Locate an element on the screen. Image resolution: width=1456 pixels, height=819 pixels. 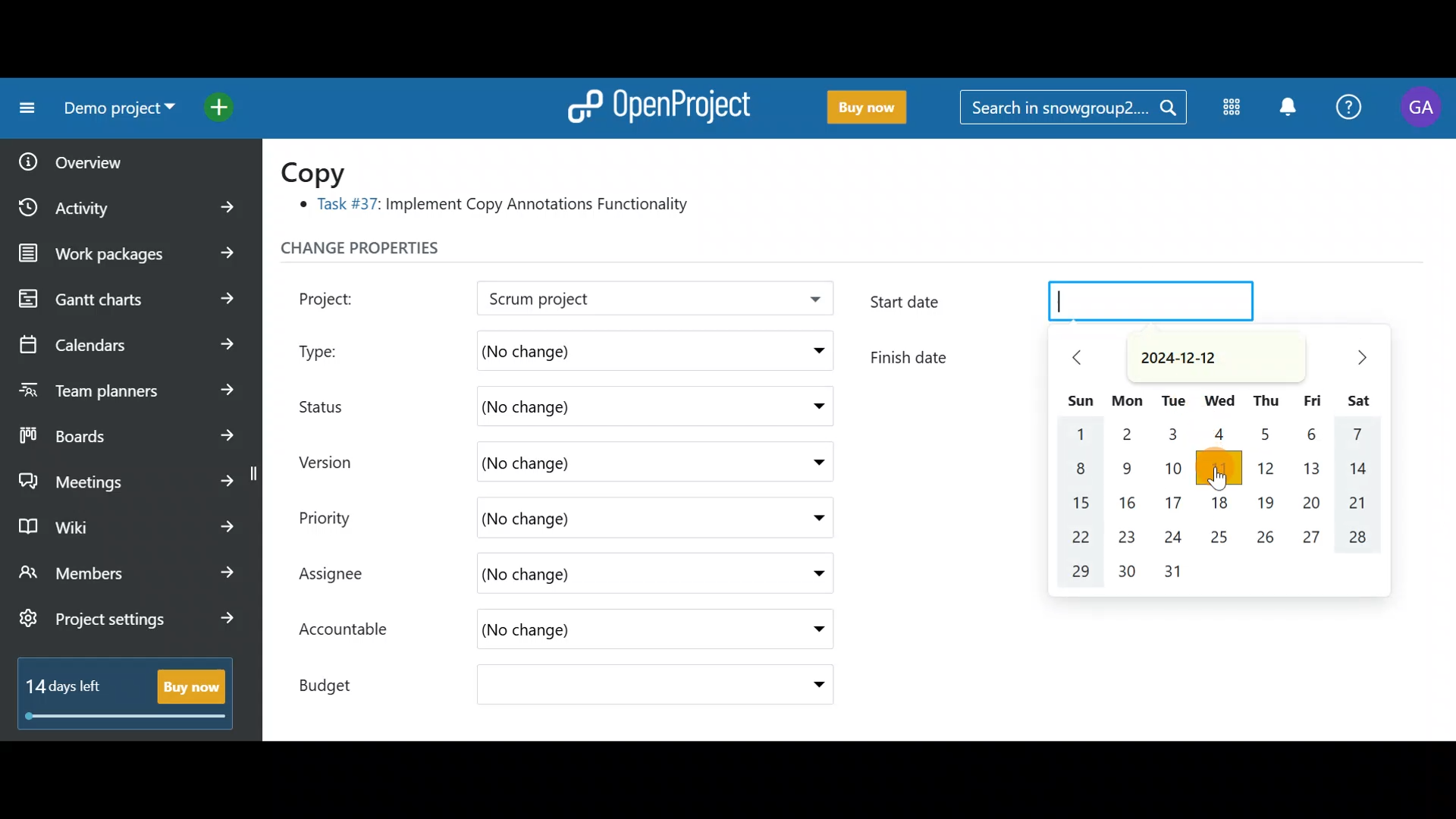
Version drop down is located at coordinates (811, 461).